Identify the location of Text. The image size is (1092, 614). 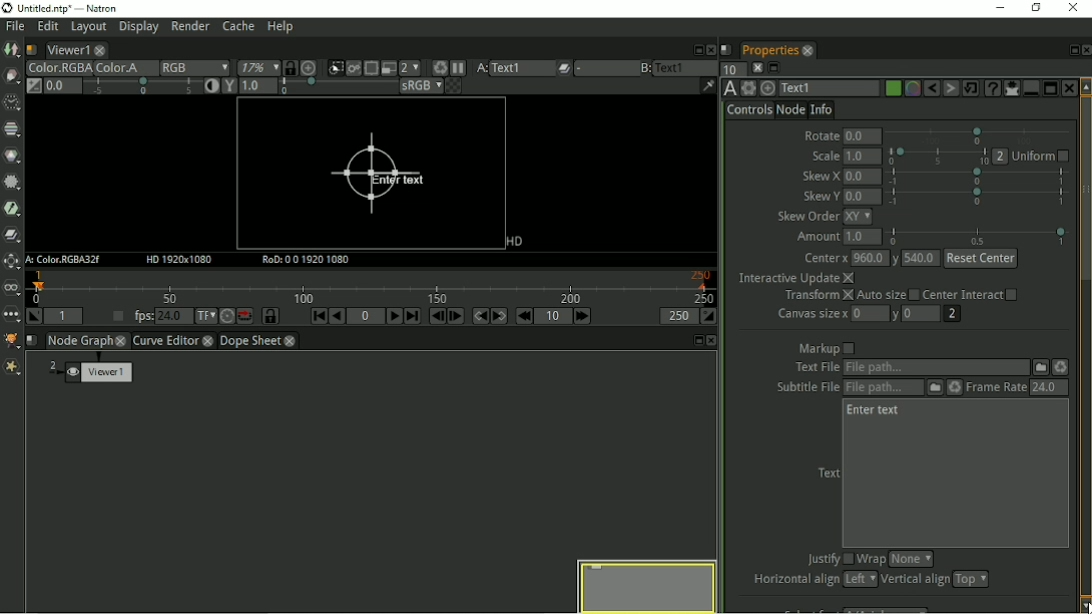
(829, 472).